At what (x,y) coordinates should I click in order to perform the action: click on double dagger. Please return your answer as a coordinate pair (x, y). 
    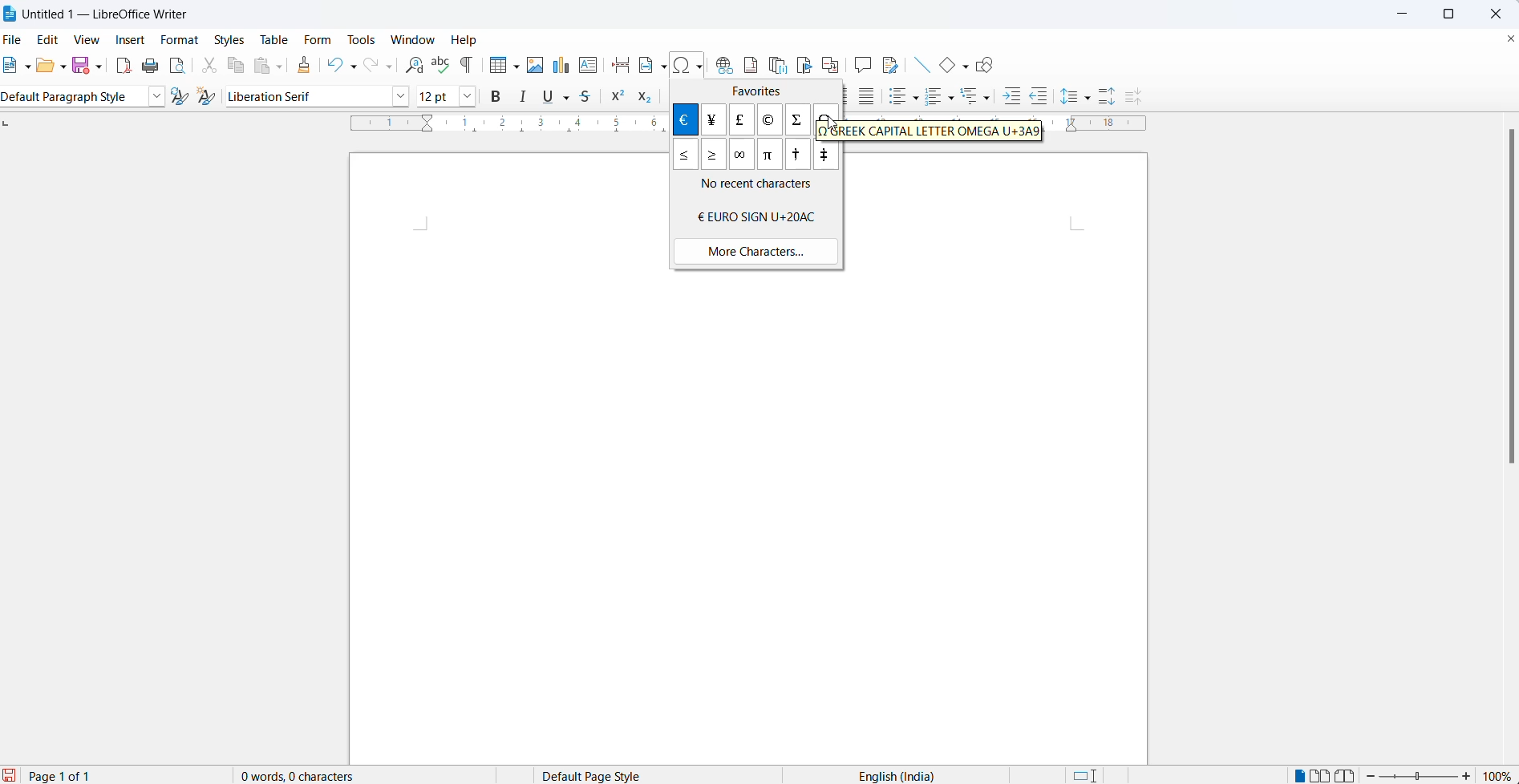
    Looking at the image, I should click on (826, 156).